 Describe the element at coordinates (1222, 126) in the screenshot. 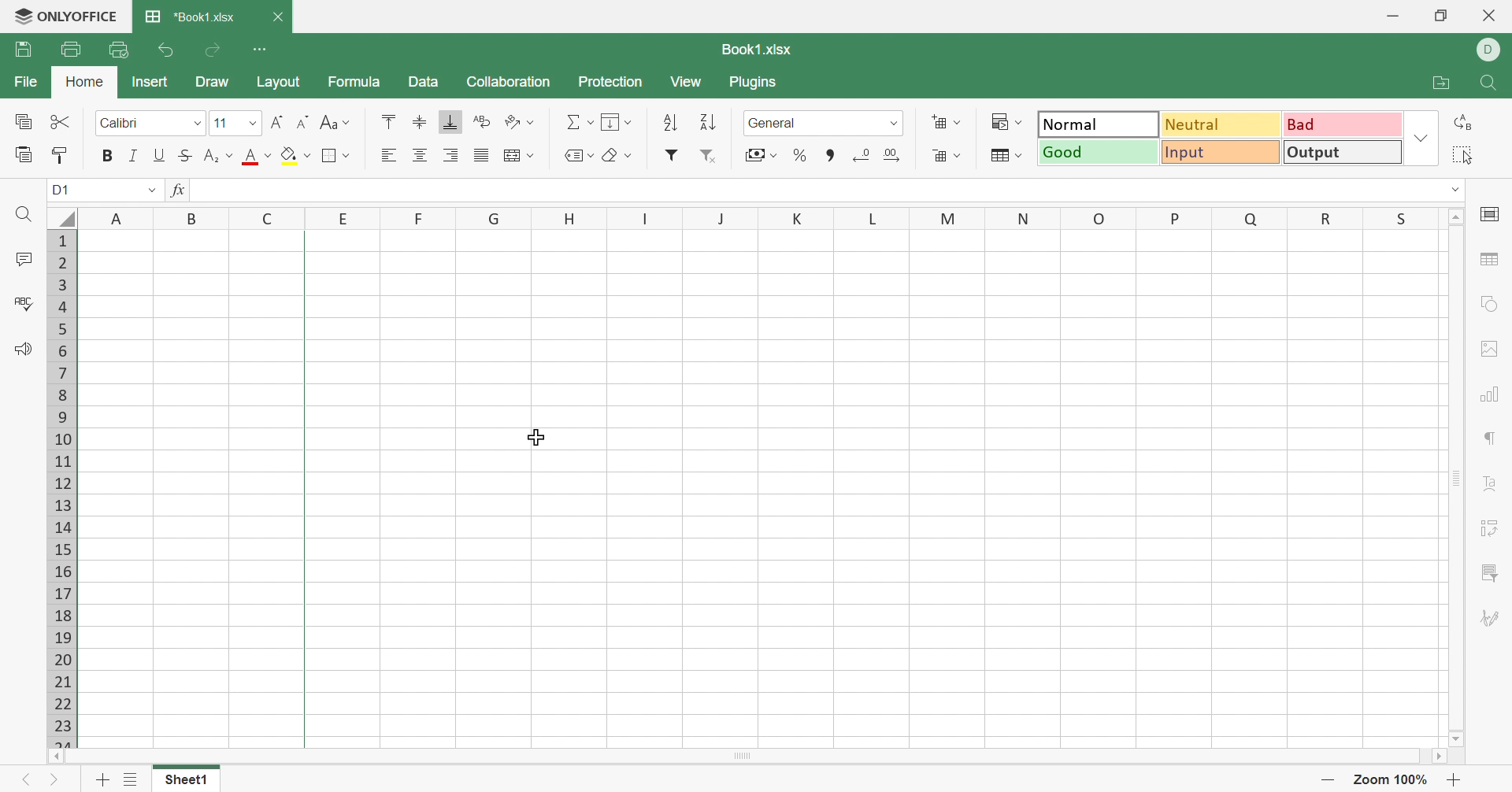

I see `Neutral` at that location.